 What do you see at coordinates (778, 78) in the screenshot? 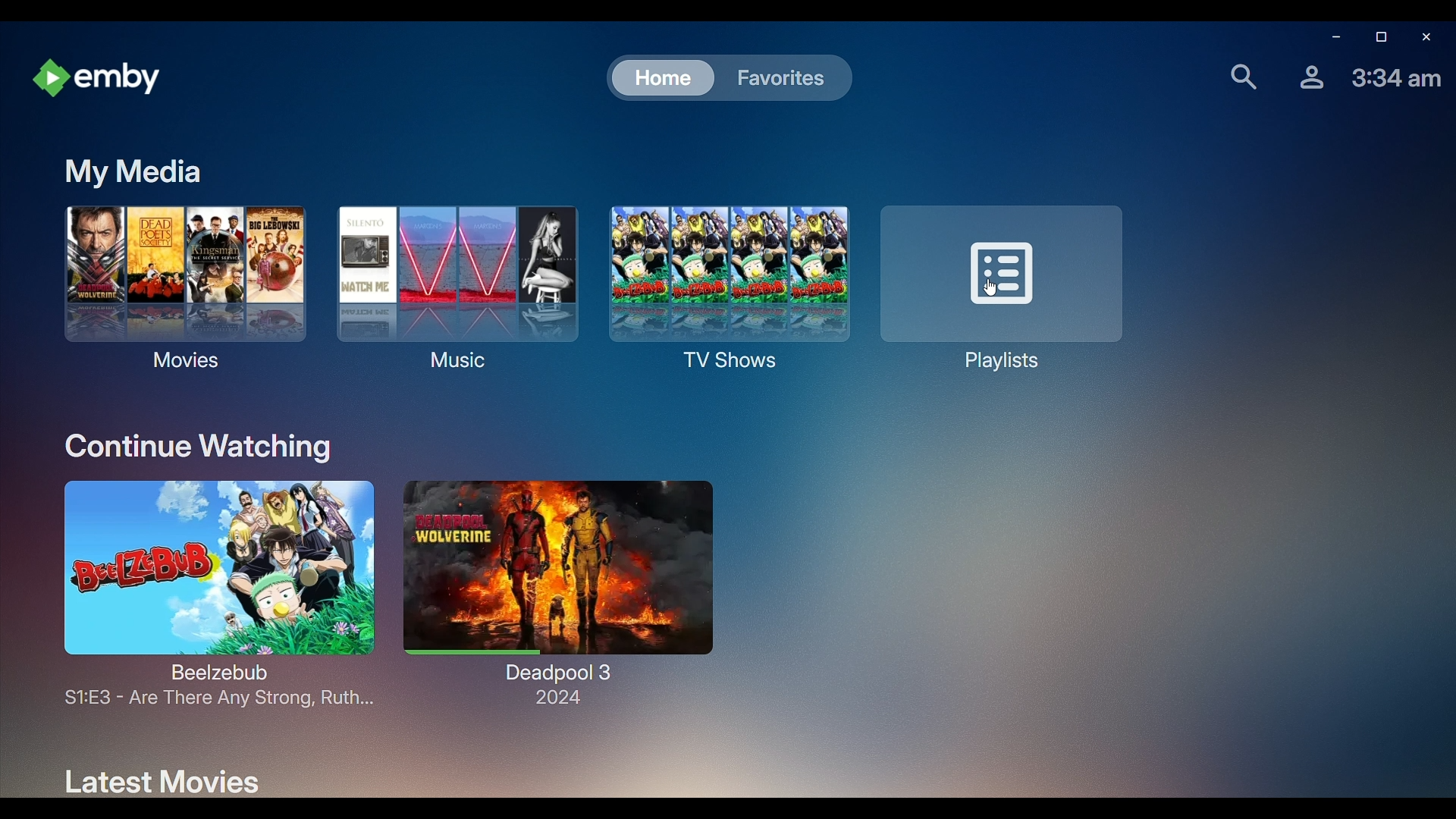
I see `Favorites` at bounding box center [778, 78].